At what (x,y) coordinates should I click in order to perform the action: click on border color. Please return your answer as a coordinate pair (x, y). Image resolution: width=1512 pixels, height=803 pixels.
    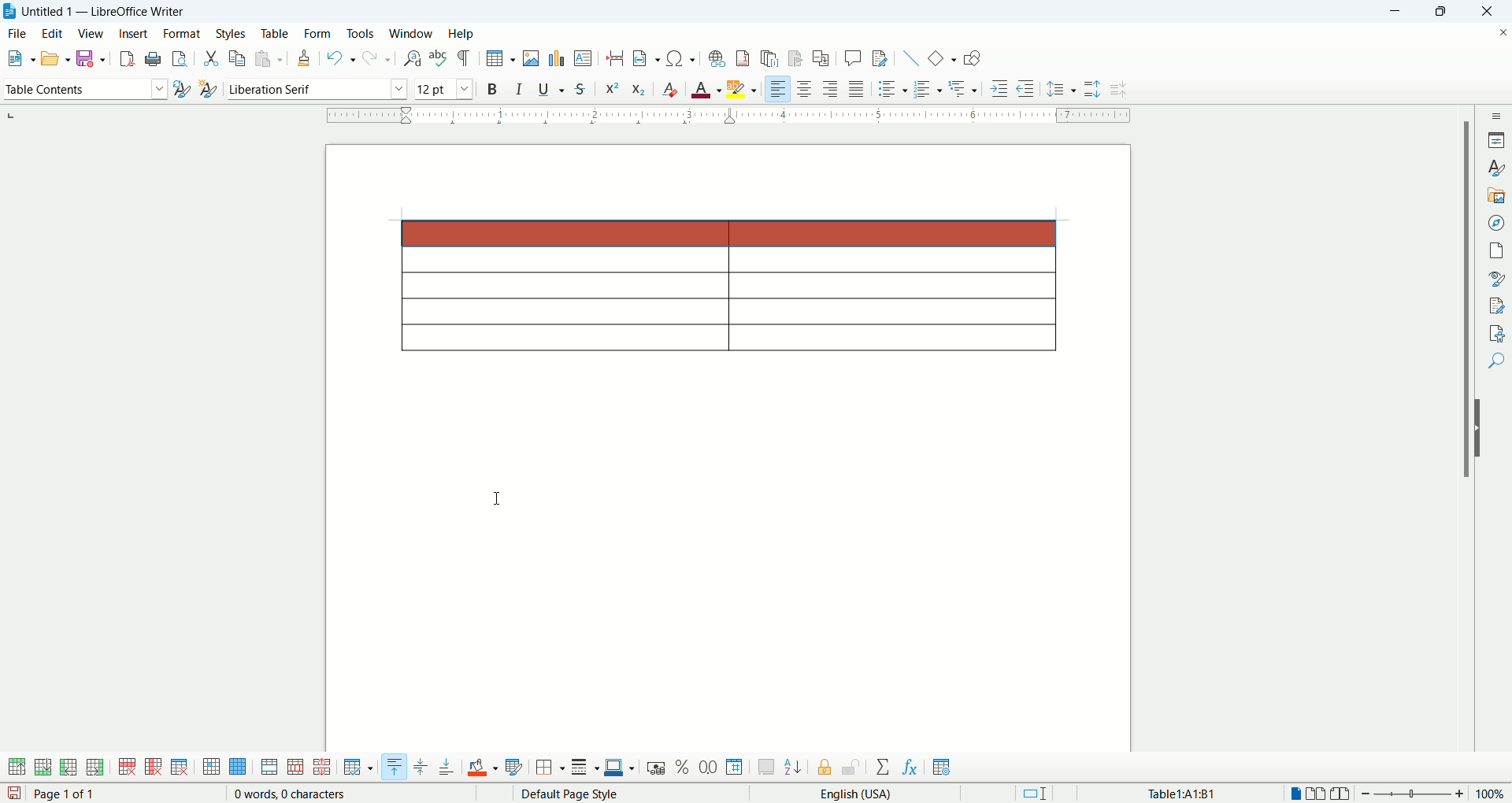
    Looking at the image, I should click on (621, 768).